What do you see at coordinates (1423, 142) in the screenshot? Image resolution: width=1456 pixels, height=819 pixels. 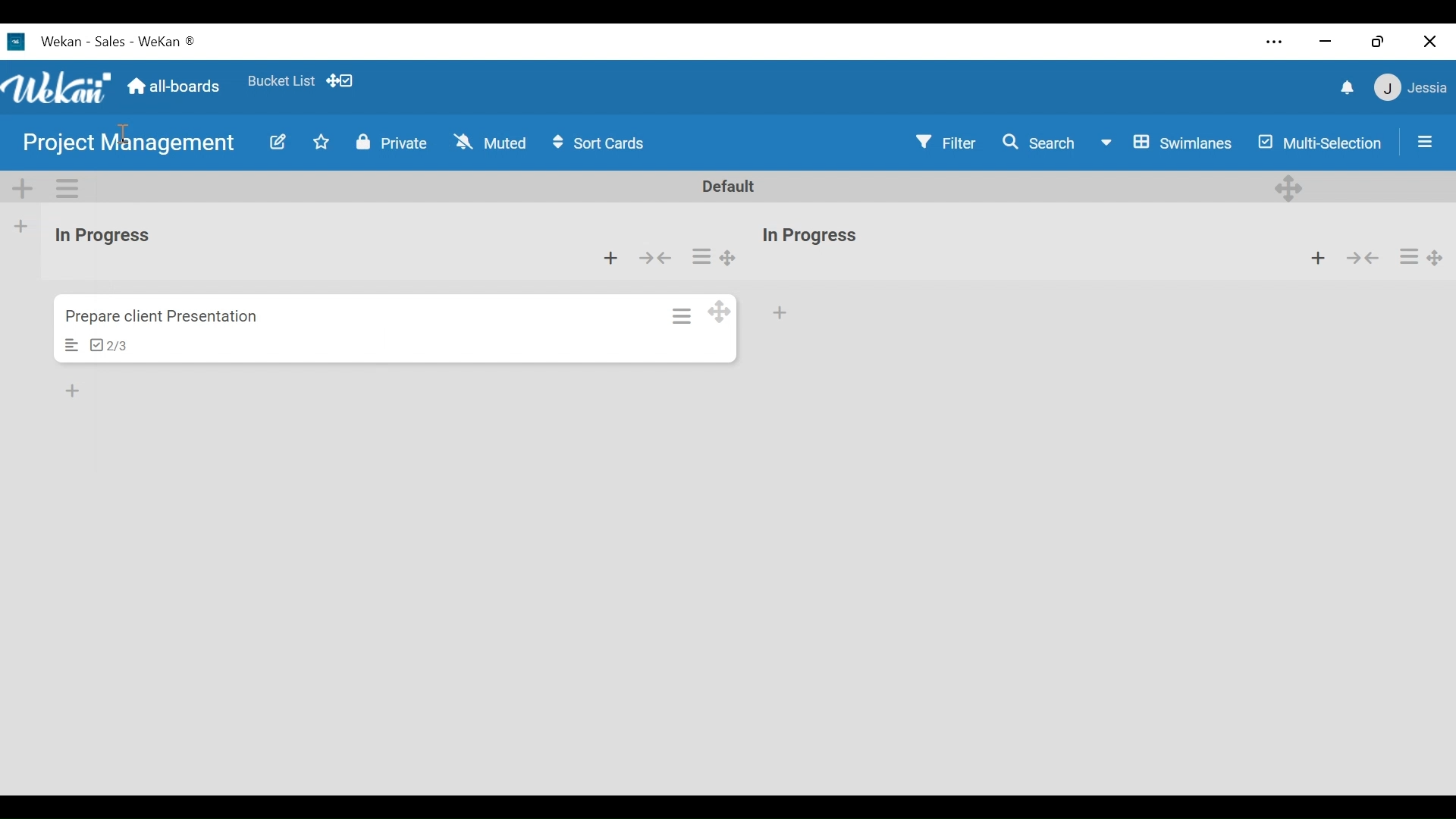 I see `Sidebar` at bounding box center [1423, 142].